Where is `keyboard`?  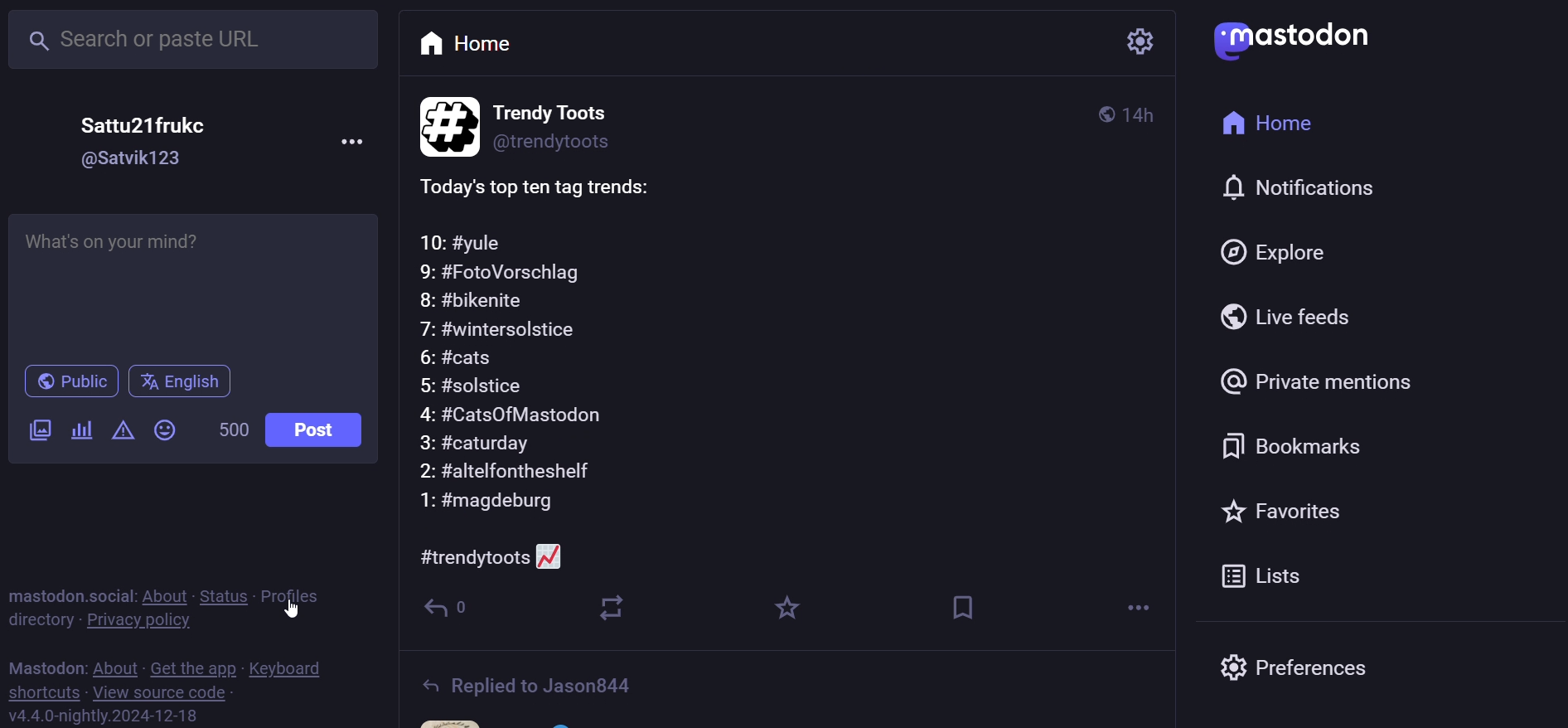
keyboard is located at coordinates (293, 668).